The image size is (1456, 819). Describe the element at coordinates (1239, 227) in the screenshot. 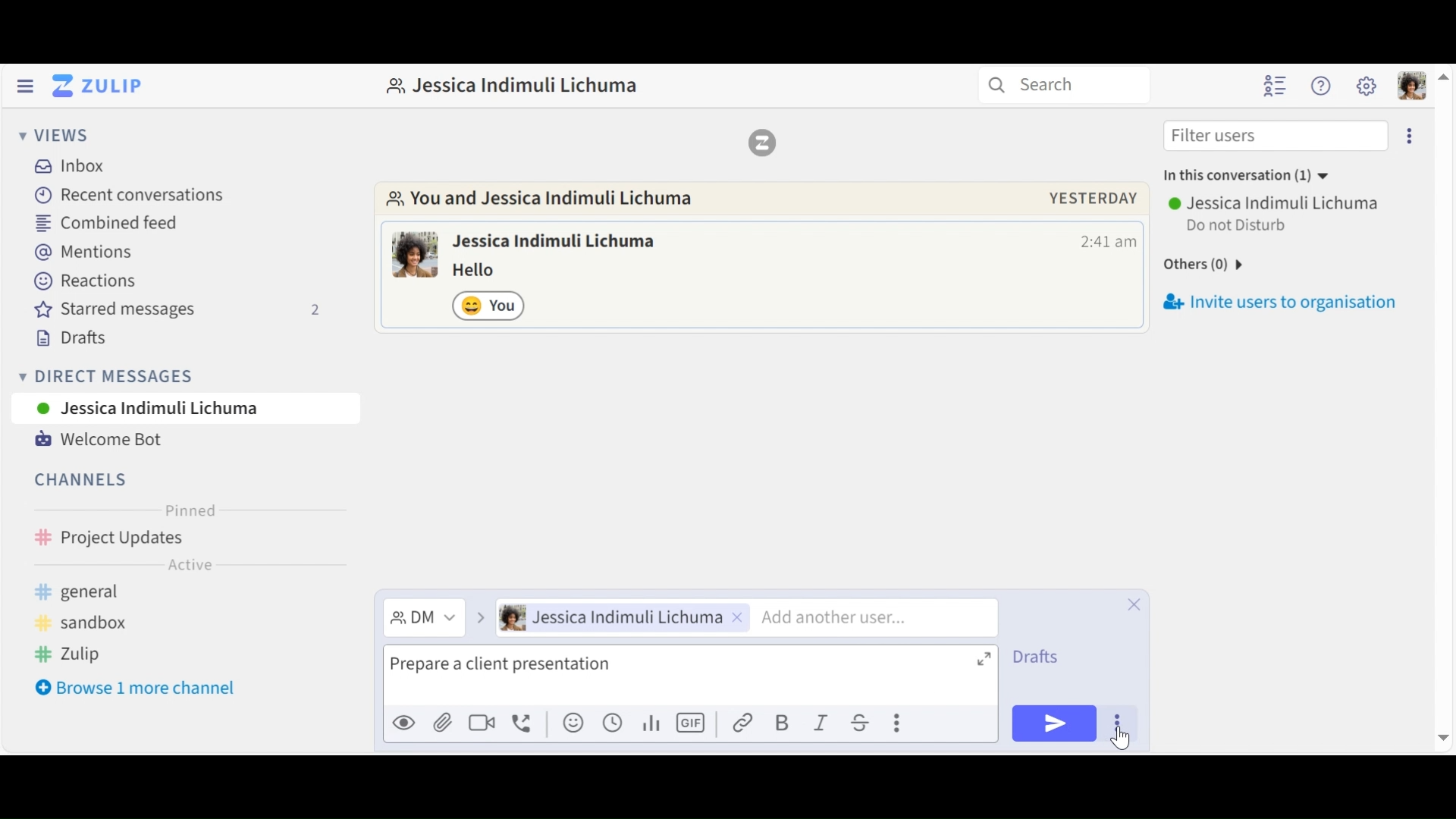

I see `Status` at that location.